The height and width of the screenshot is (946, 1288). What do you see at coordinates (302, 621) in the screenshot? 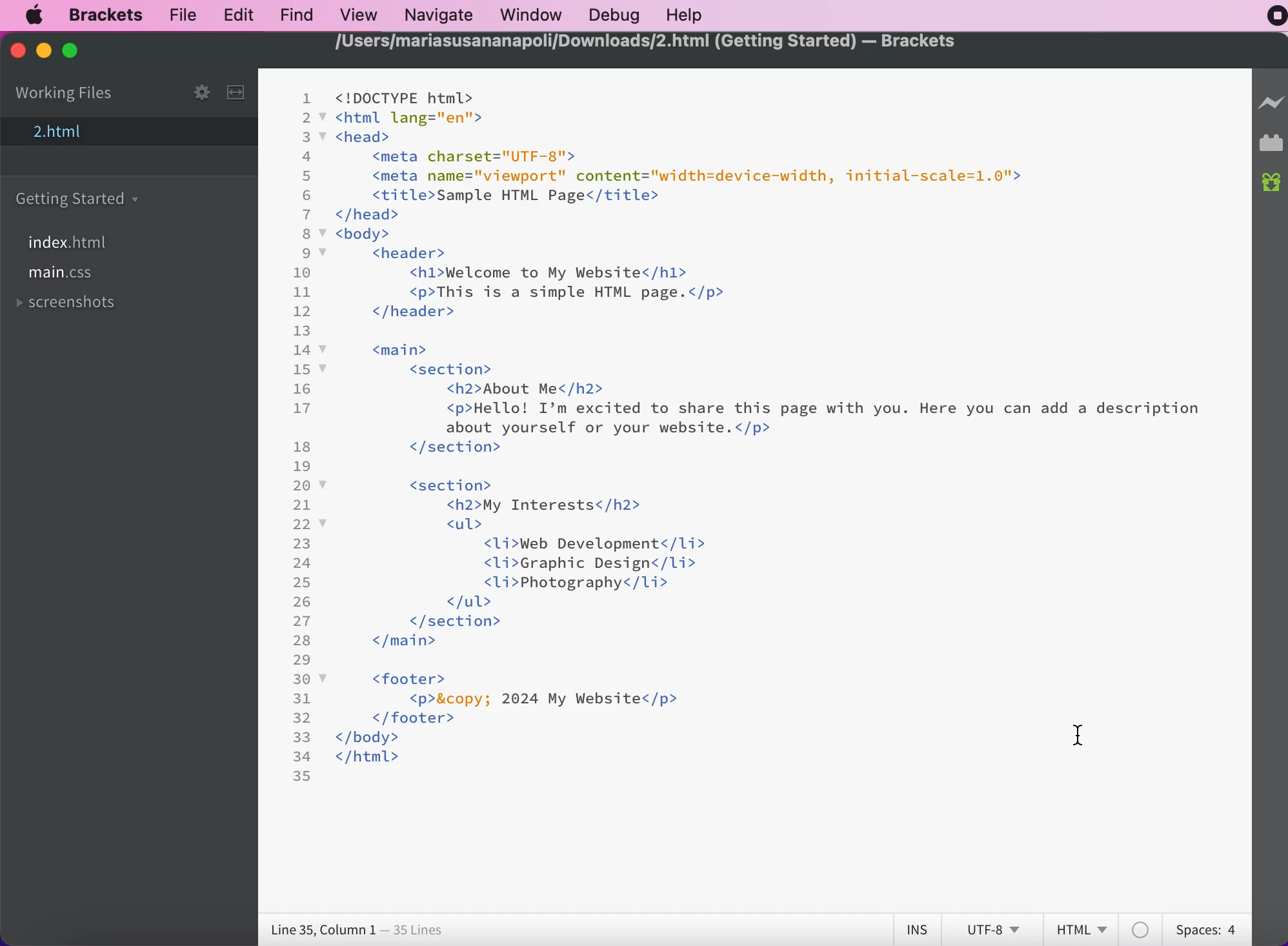
I see `27` at bounding box center [302, 621].